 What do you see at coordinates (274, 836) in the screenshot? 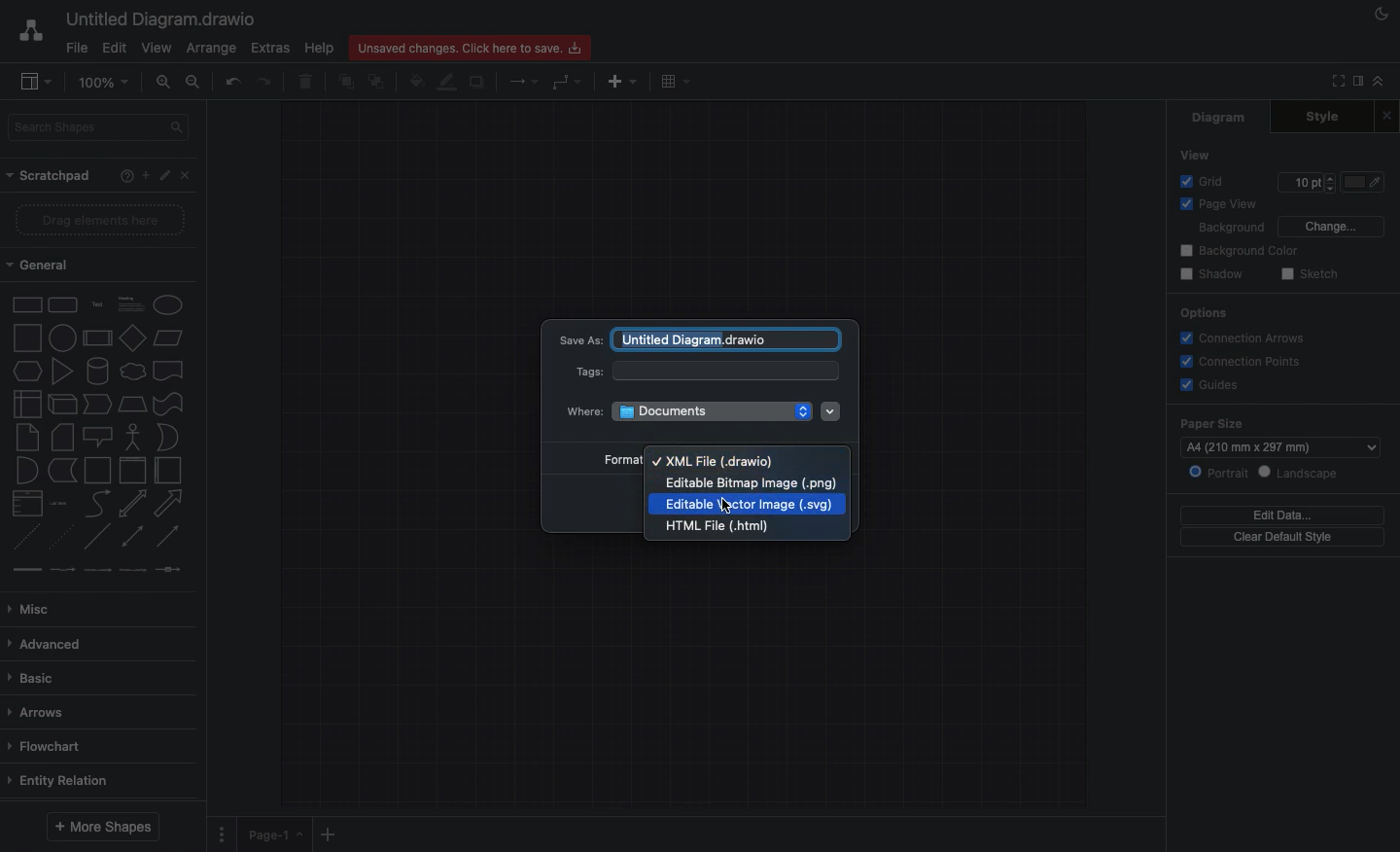
I see `Page 1` at bounding box center [274, 836].